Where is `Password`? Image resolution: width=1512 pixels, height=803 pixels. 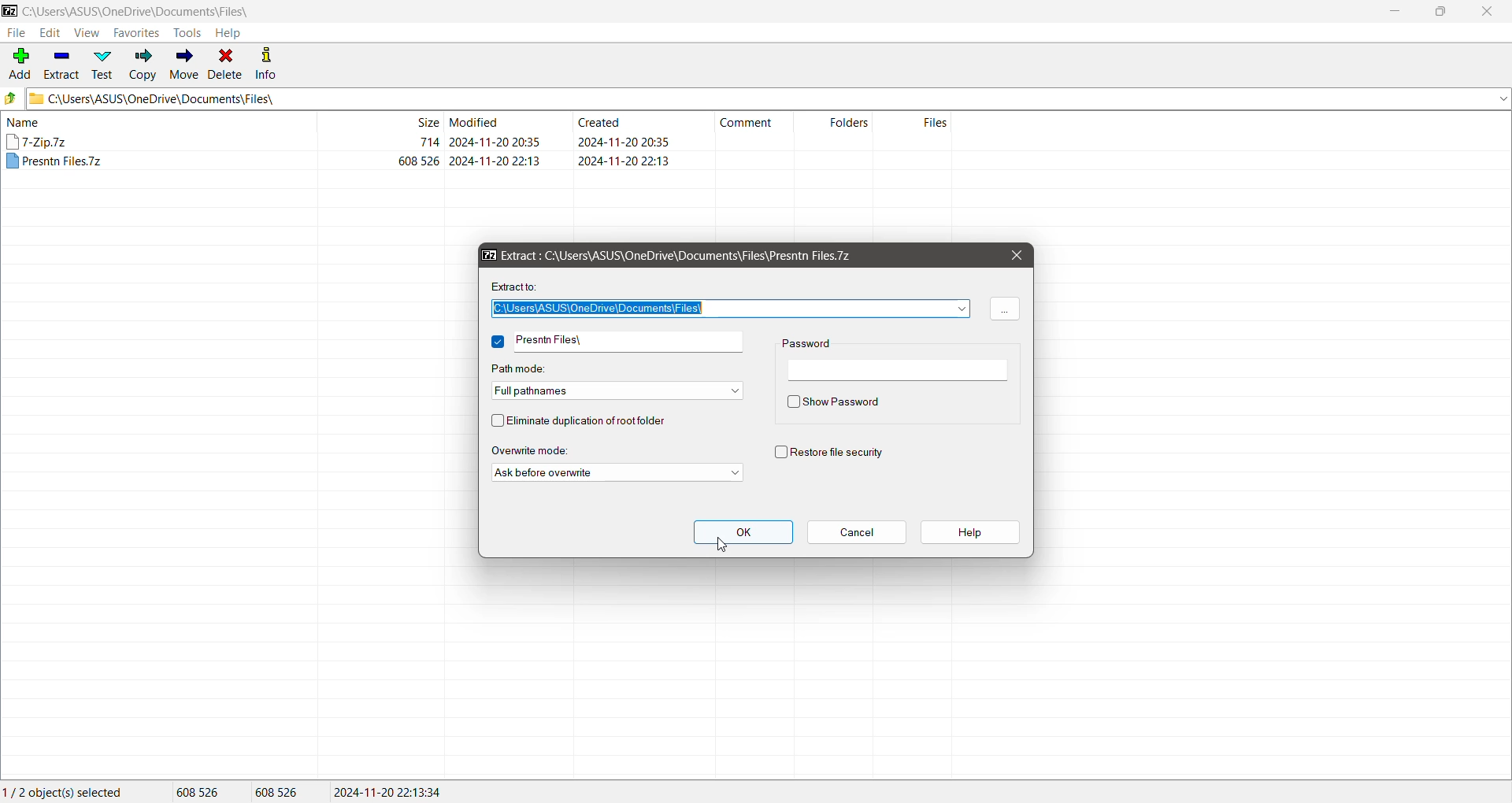
Password is located at coordinates (810, 343).